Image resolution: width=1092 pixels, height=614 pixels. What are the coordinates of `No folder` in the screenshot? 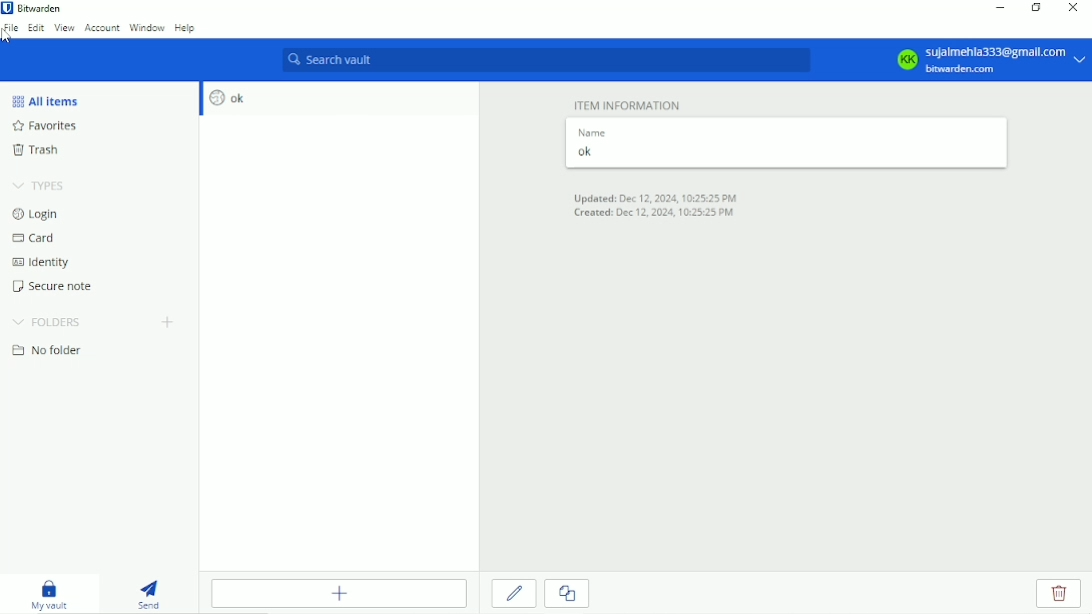 It's located at (52, 352).